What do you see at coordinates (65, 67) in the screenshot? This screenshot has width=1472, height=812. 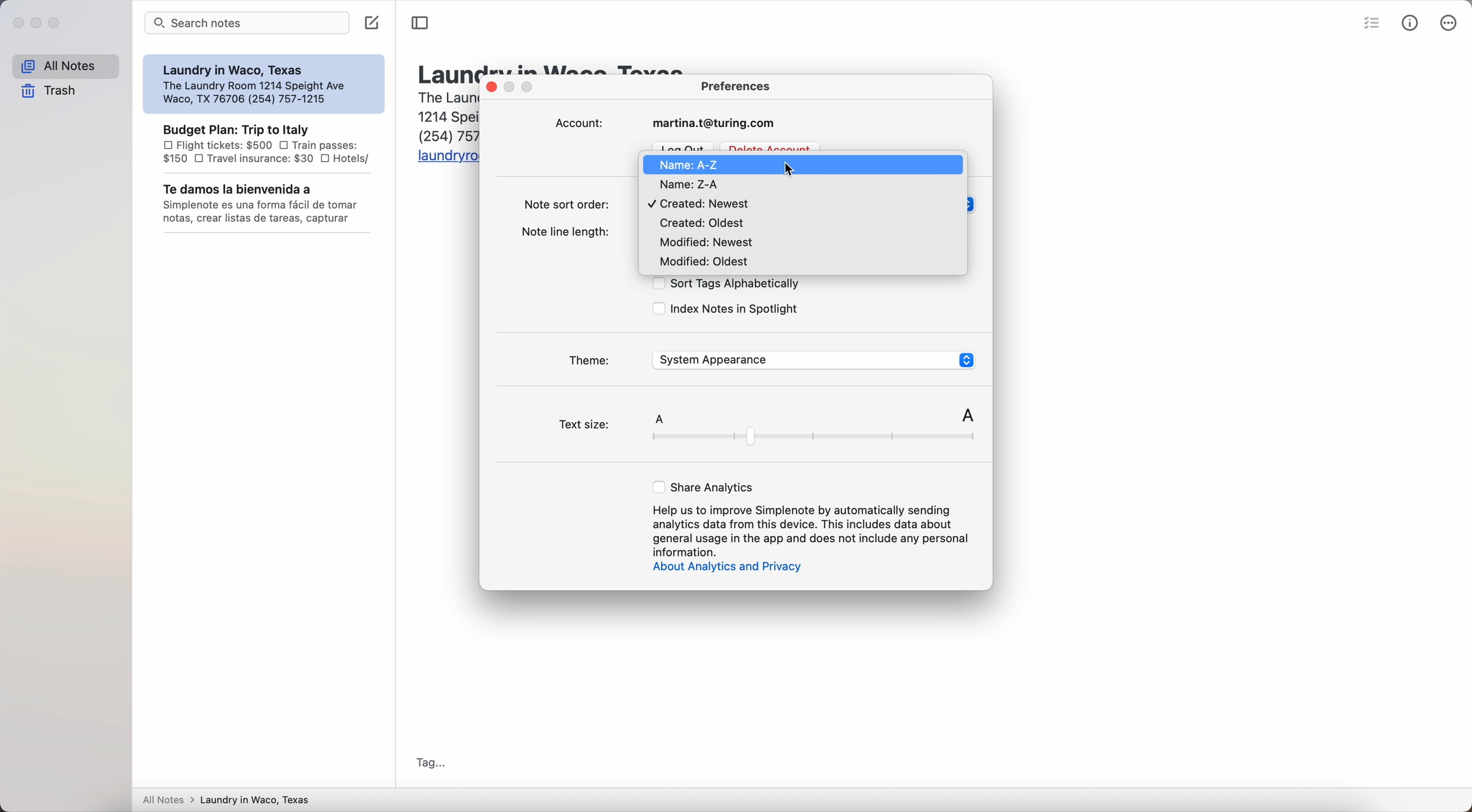 I see `All notes` at bounding box center [65, 67].